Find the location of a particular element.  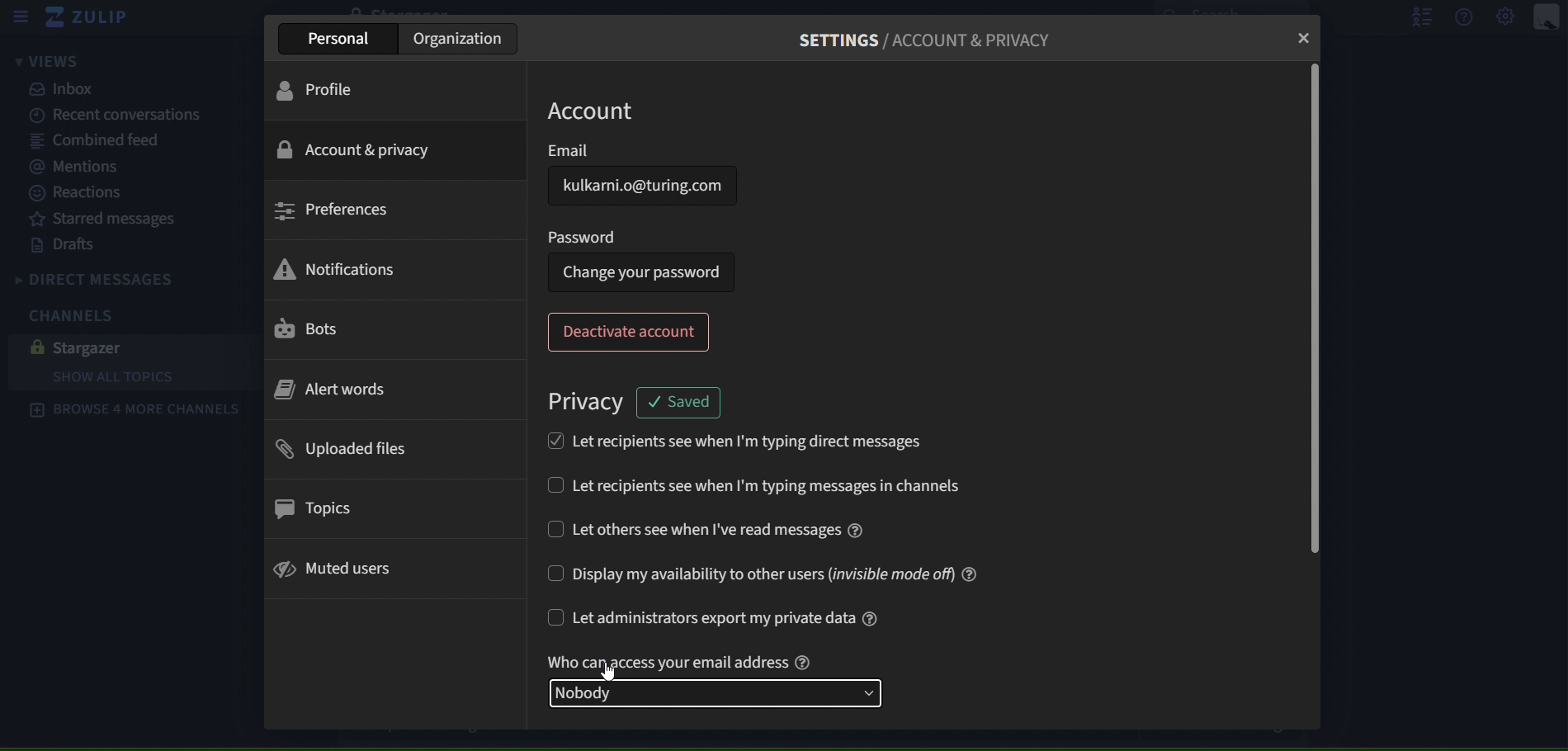

password is located at coordinates (583, 235).